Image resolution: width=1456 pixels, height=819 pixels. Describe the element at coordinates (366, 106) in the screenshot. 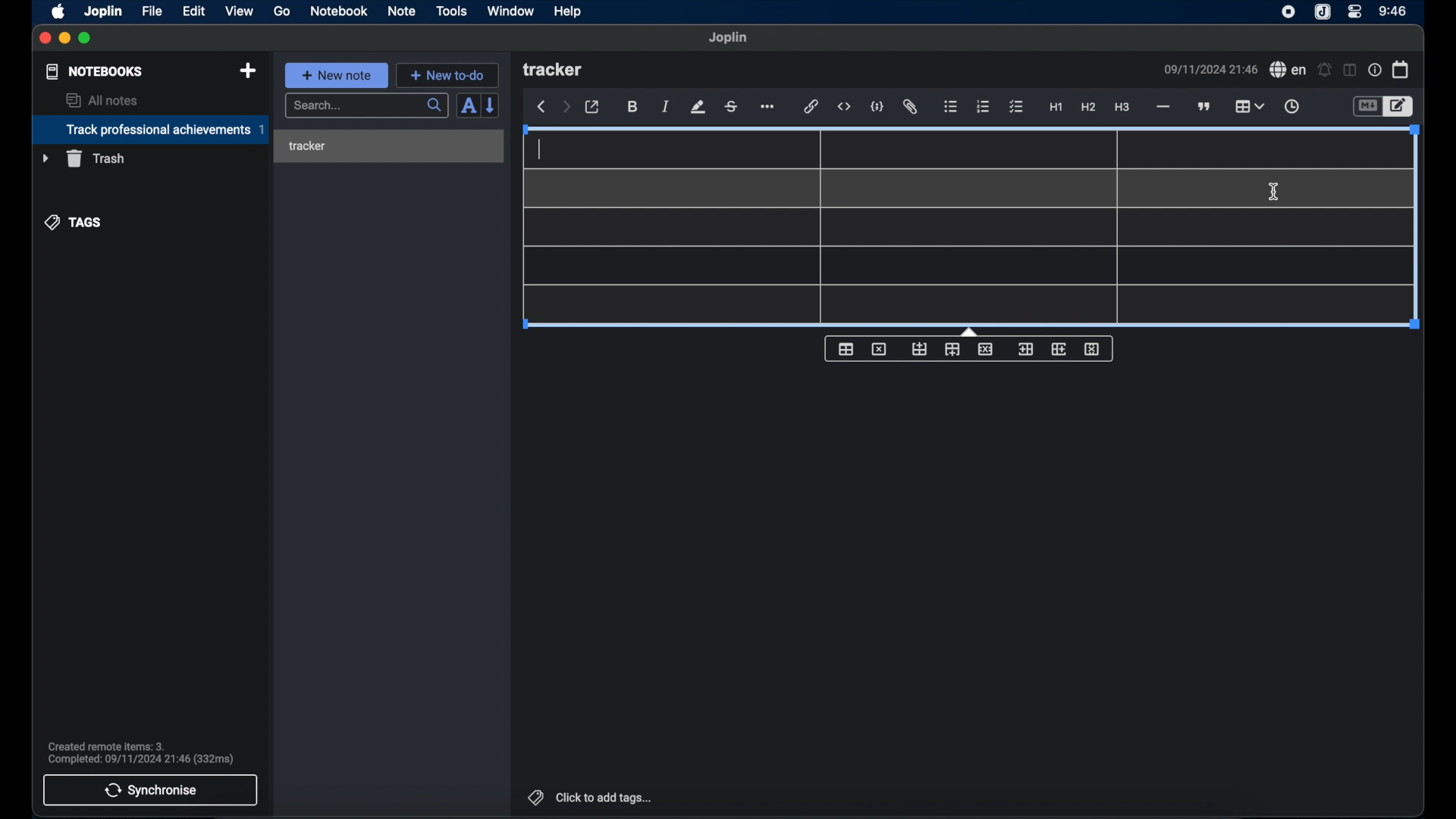

I see `search bar` at that location.